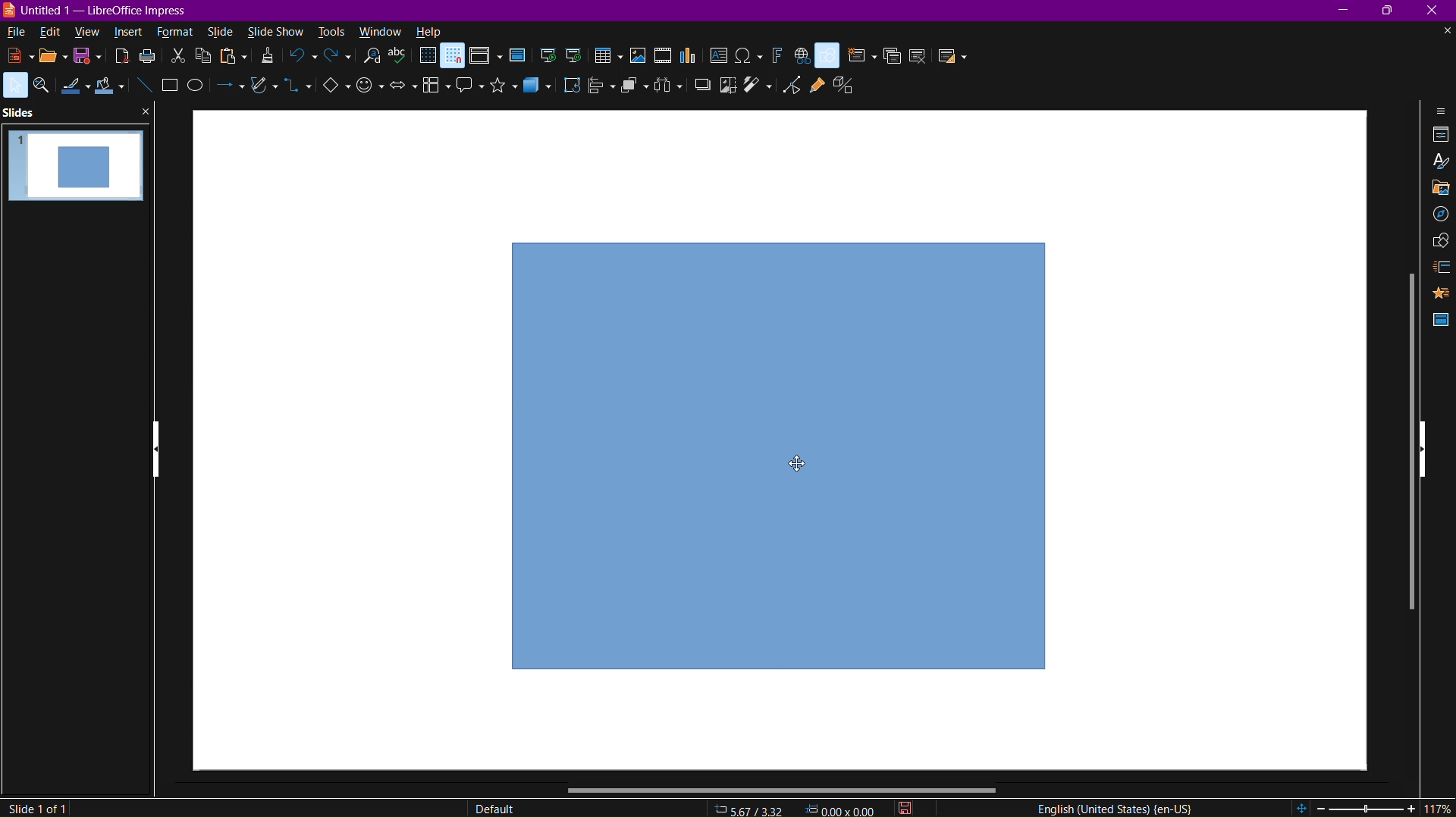 The image size is (1456, 817). I want to click on Arrange, so click(633, 90).